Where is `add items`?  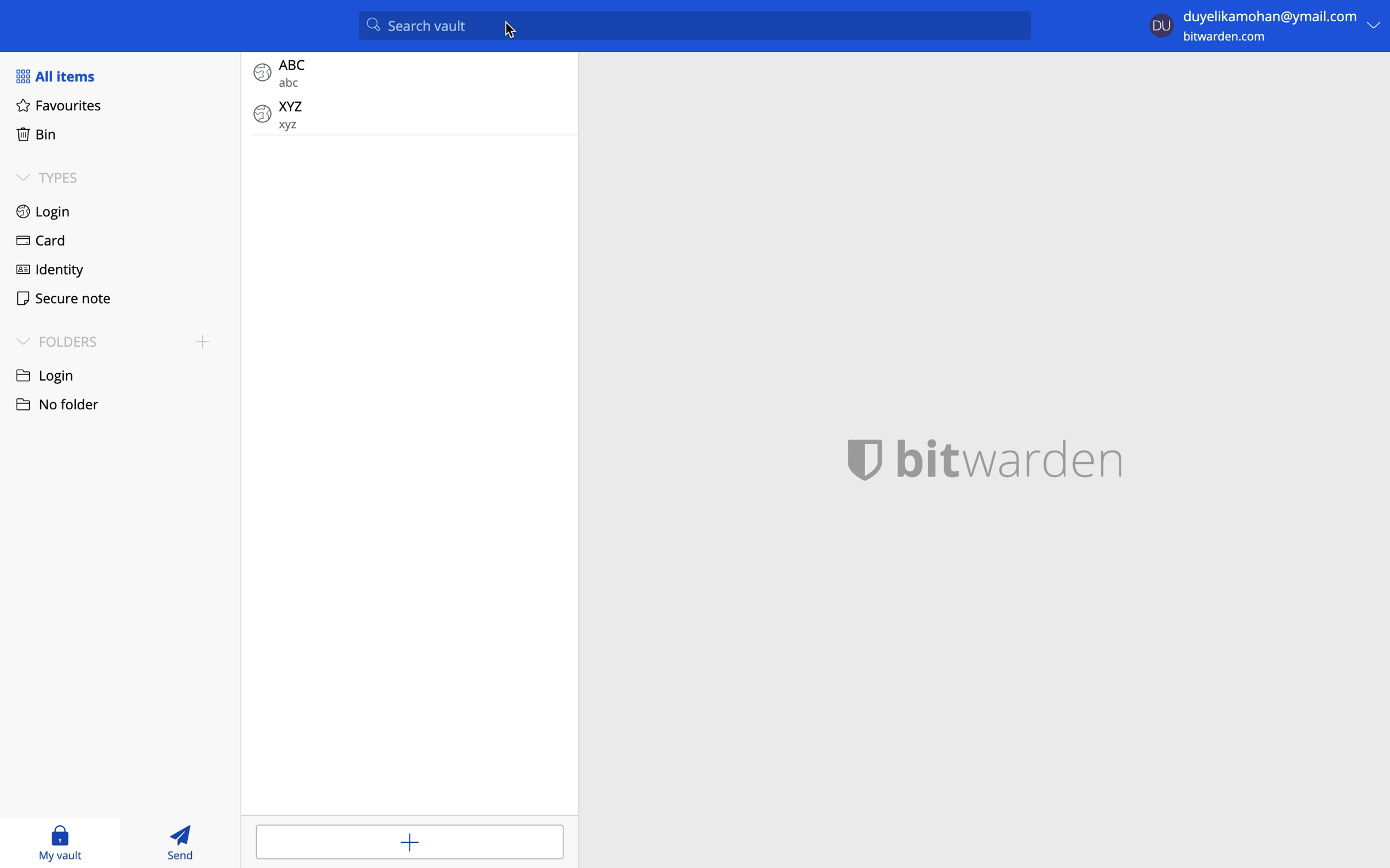 add items is located at coordinates (408, 842).